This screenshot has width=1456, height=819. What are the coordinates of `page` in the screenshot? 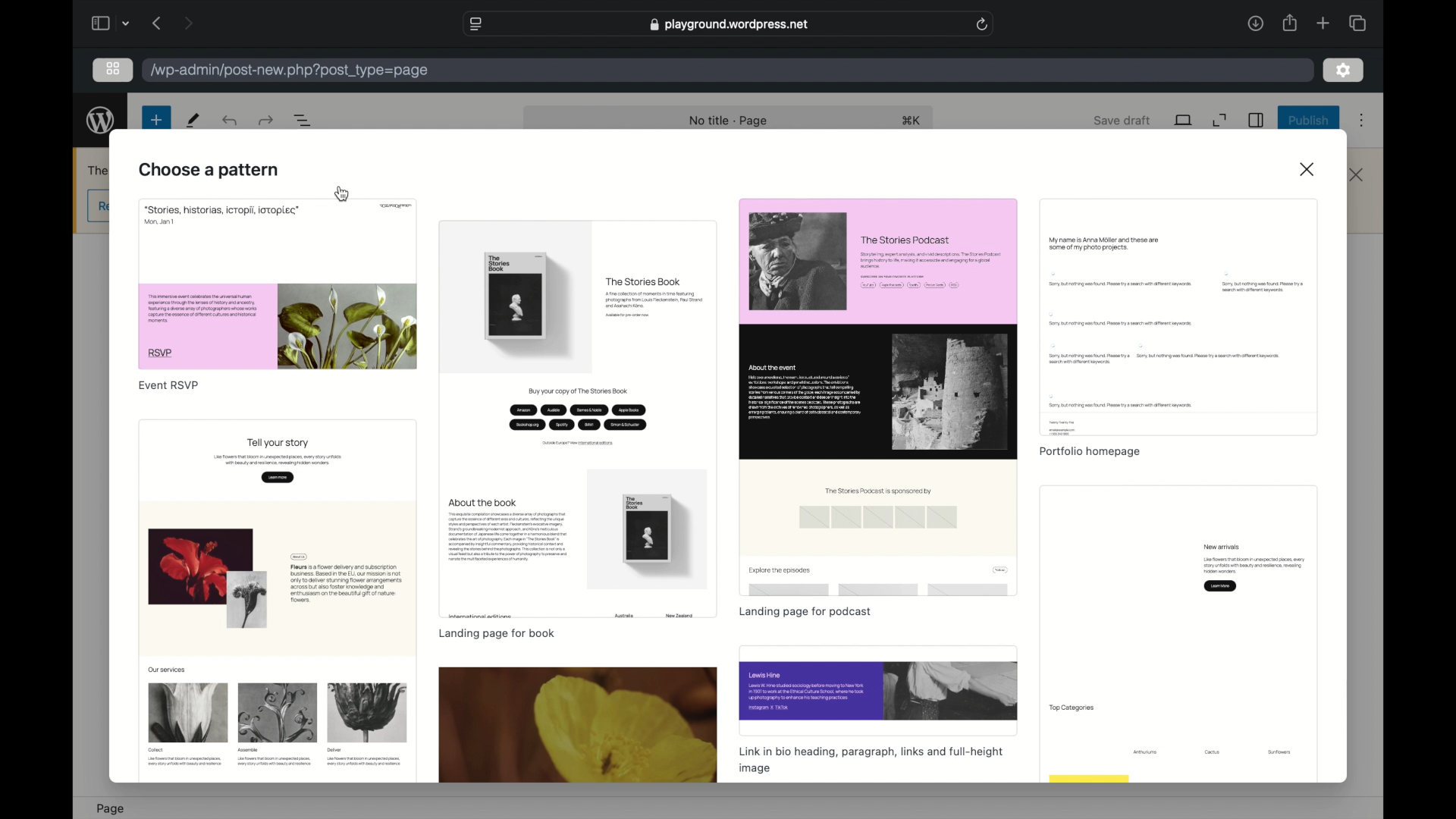 It's located at (111, 808).